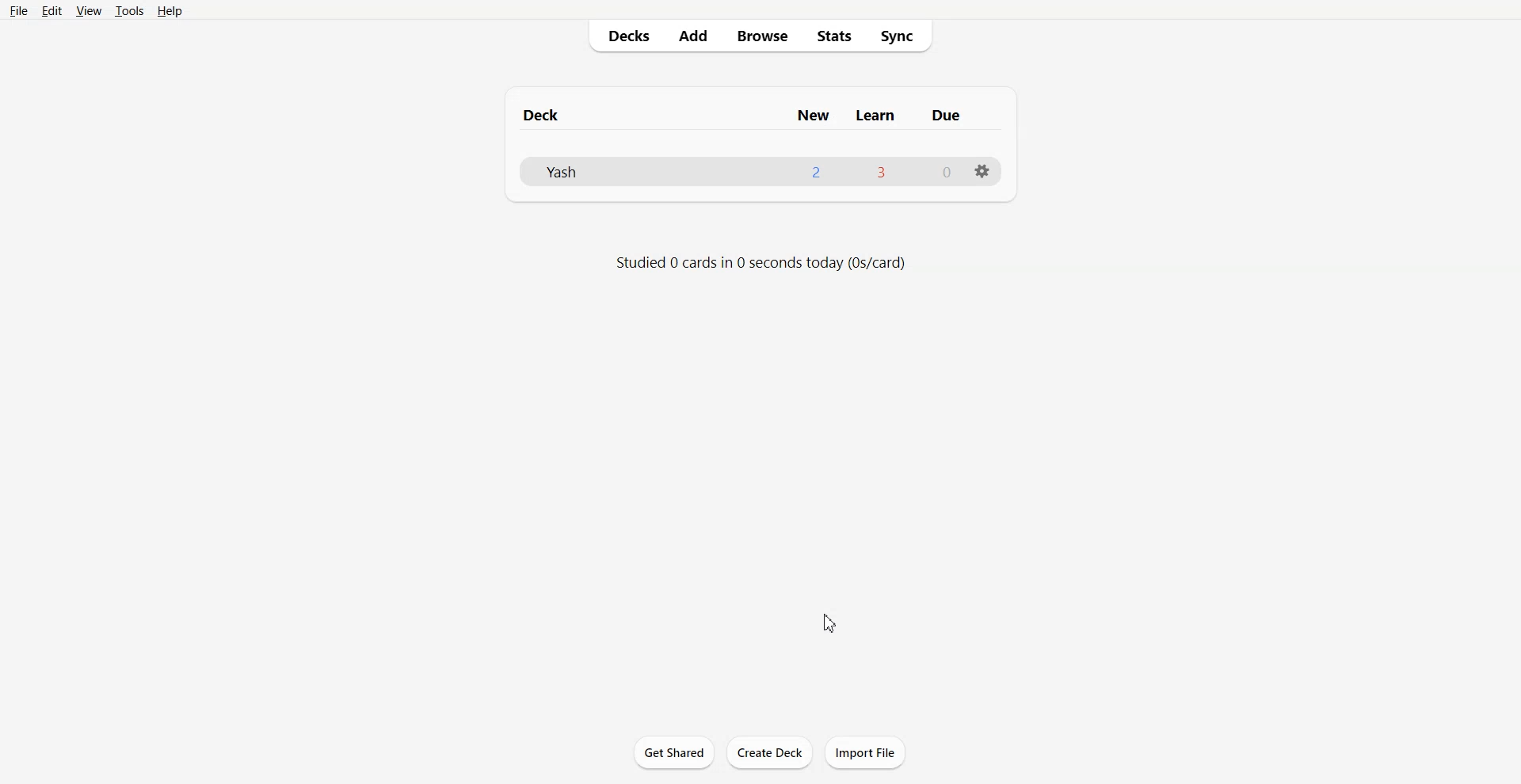 This screenshot has width=1521, height=784. Describe the element at coordinates (88, 11) in the screenshot. I see `View` at that location.